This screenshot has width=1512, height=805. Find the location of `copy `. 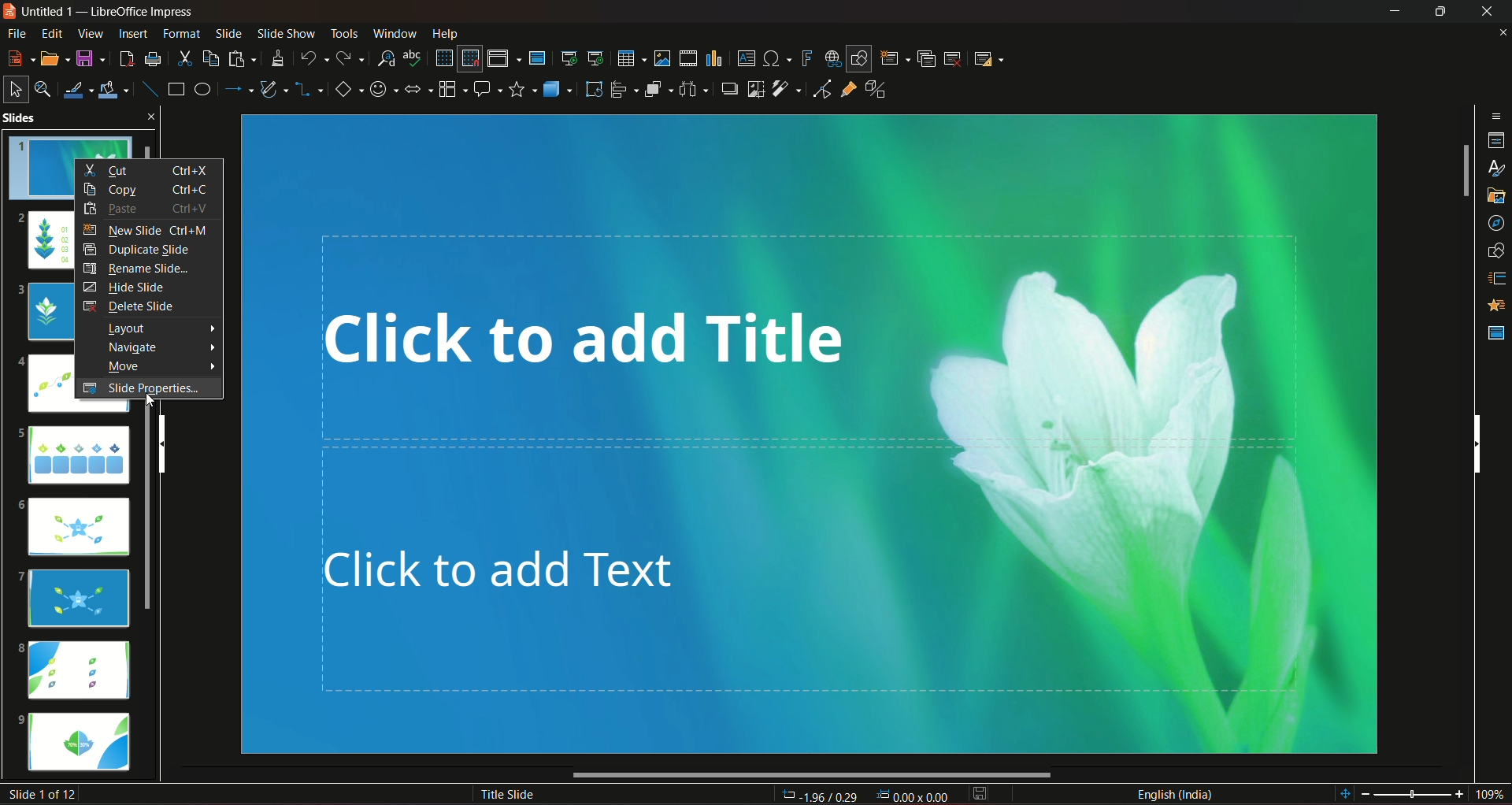

copy  is located at coordinates (209, 57).